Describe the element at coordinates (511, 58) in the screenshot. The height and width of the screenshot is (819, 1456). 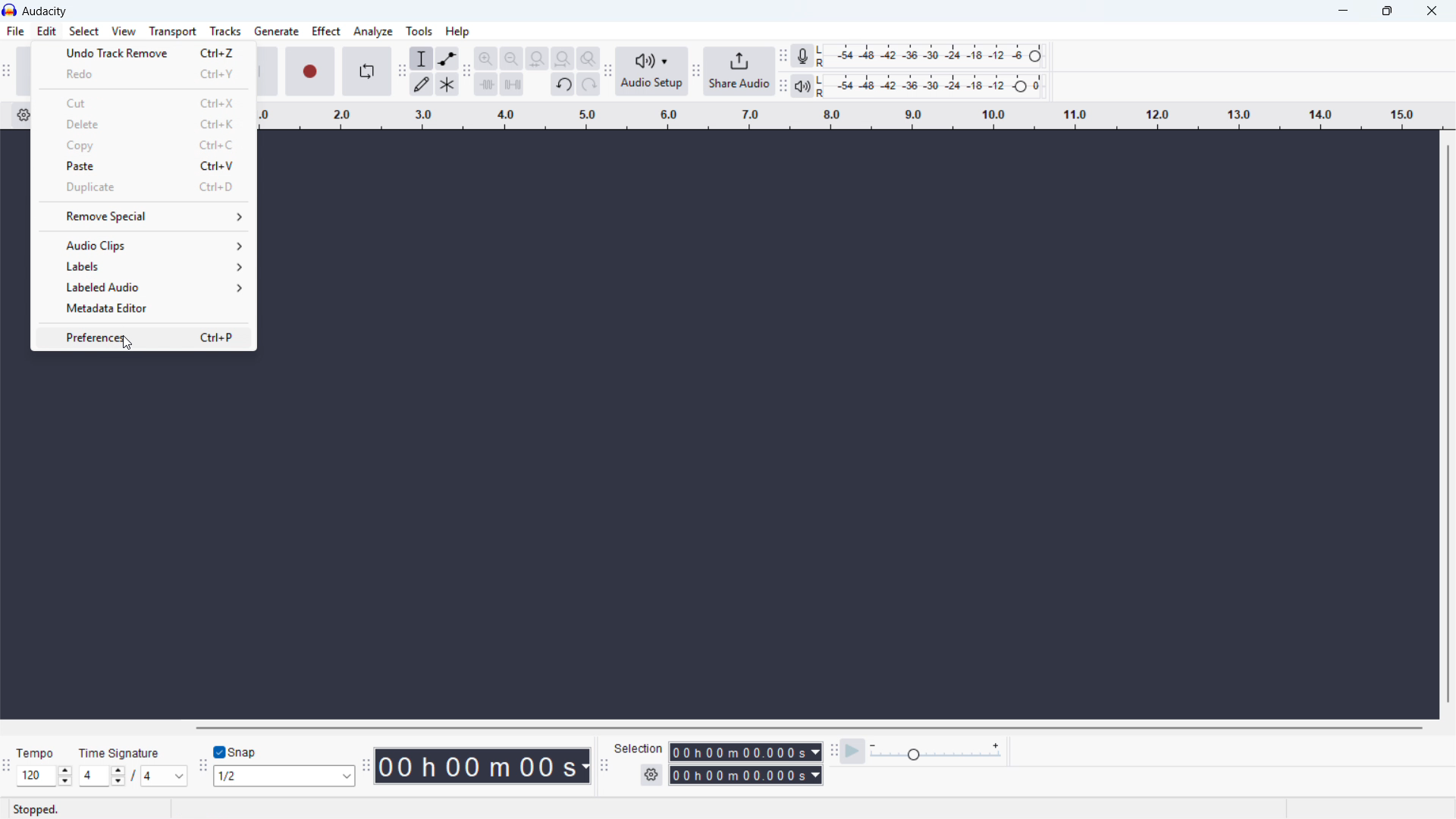
I see `zoom out` at that location.